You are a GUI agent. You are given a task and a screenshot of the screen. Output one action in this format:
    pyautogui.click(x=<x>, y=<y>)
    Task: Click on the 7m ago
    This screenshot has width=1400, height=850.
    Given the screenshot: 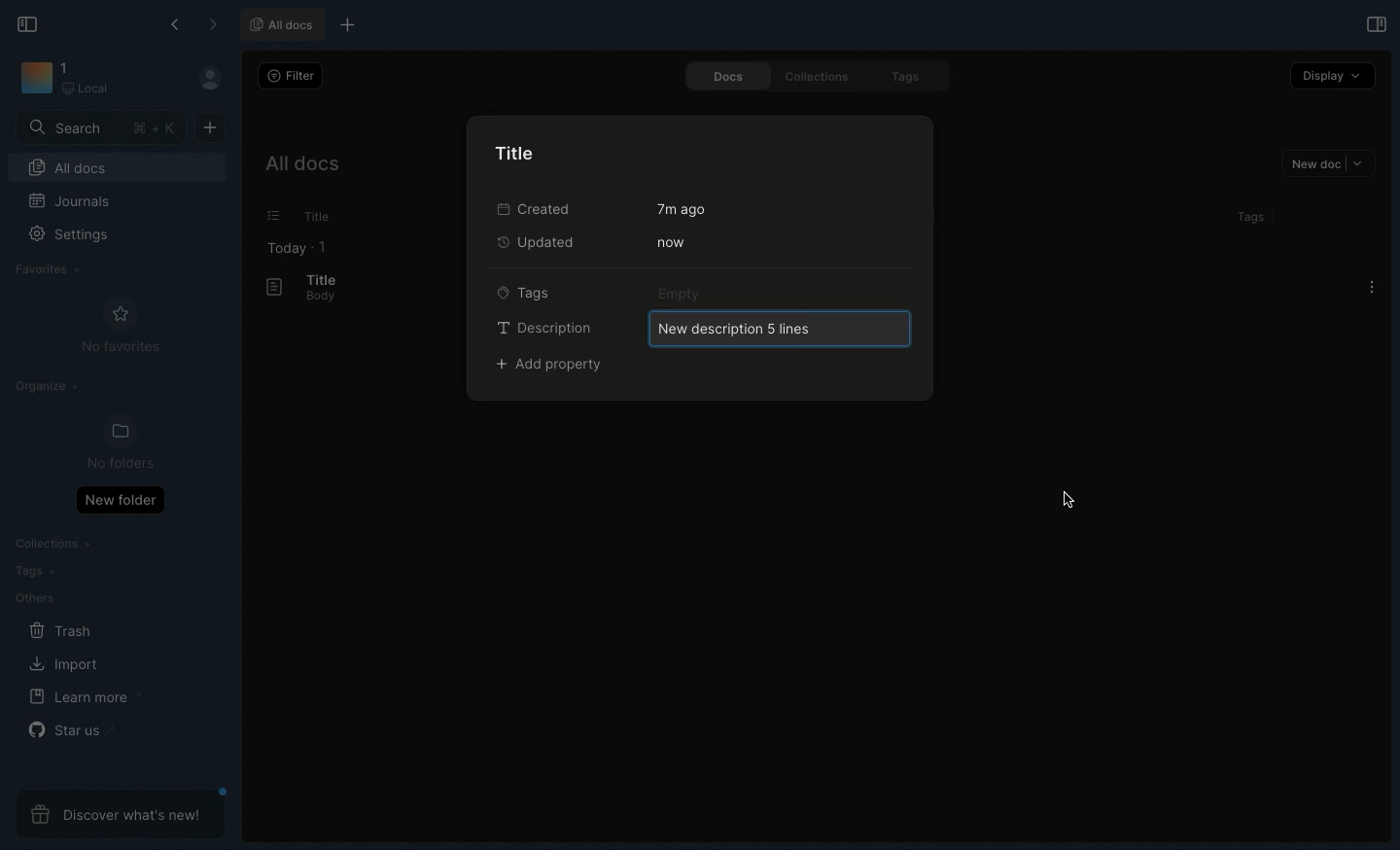 What is the action you would take?
    pyautogui.click(x=684, y=209)
    